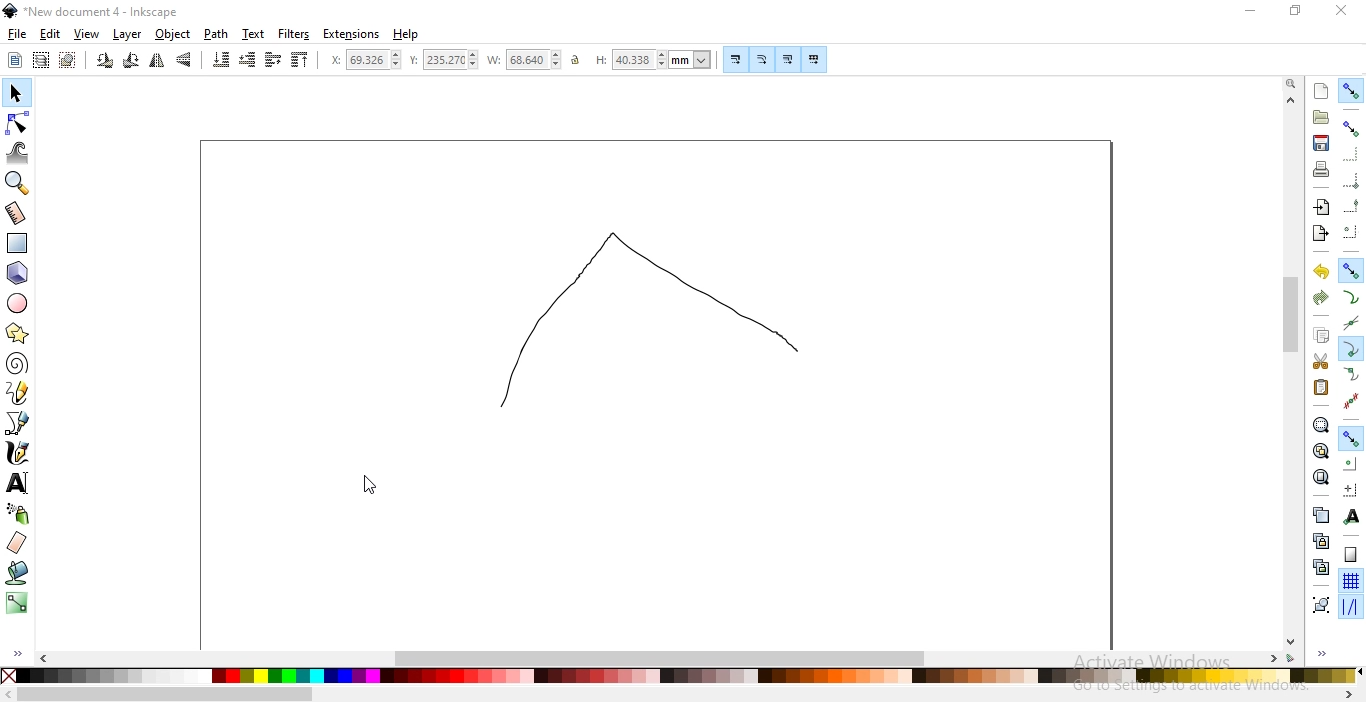 The height and width of the screenshot is (702, 1366). What do you see at coordinates (1320, 169) in the screenshot?
I see `print document` at bounding box center [1320, 169].